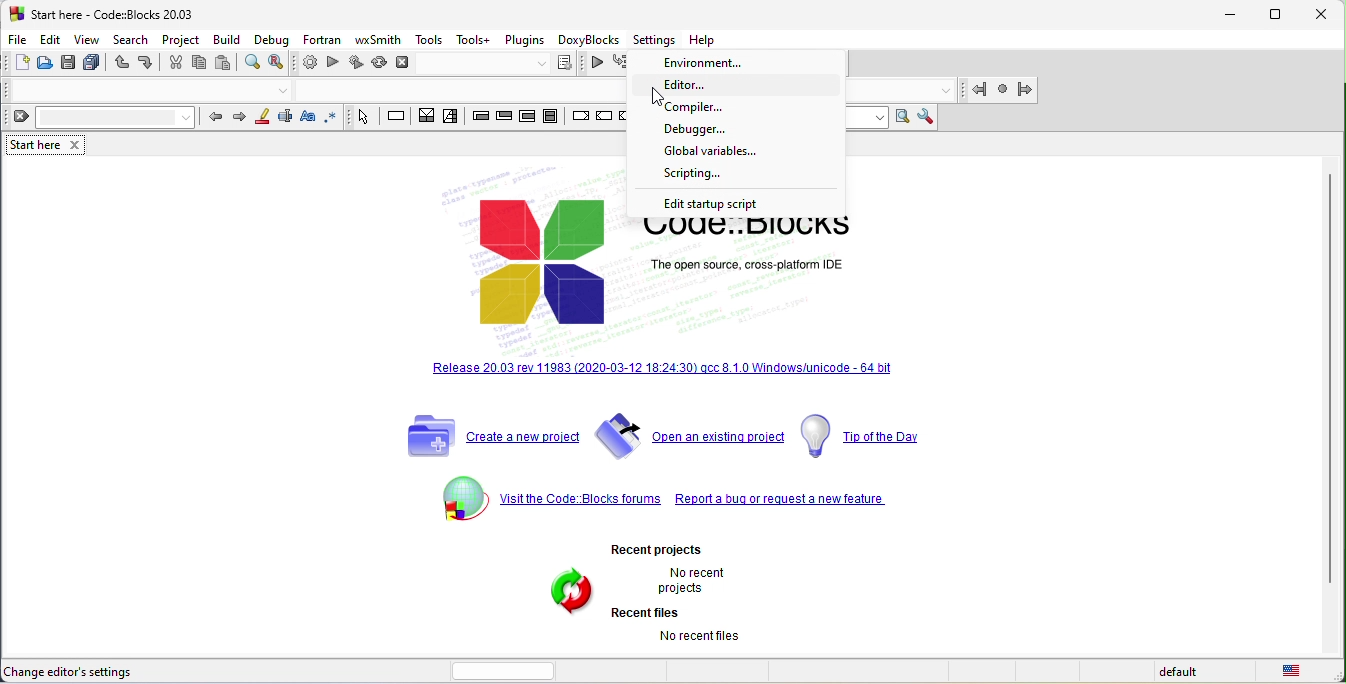 Image resolution: width=1346 pixels, height=684 pixels. Describe the element at coordinates (359, 63) in the screenshot. I see `build and run` at that location.